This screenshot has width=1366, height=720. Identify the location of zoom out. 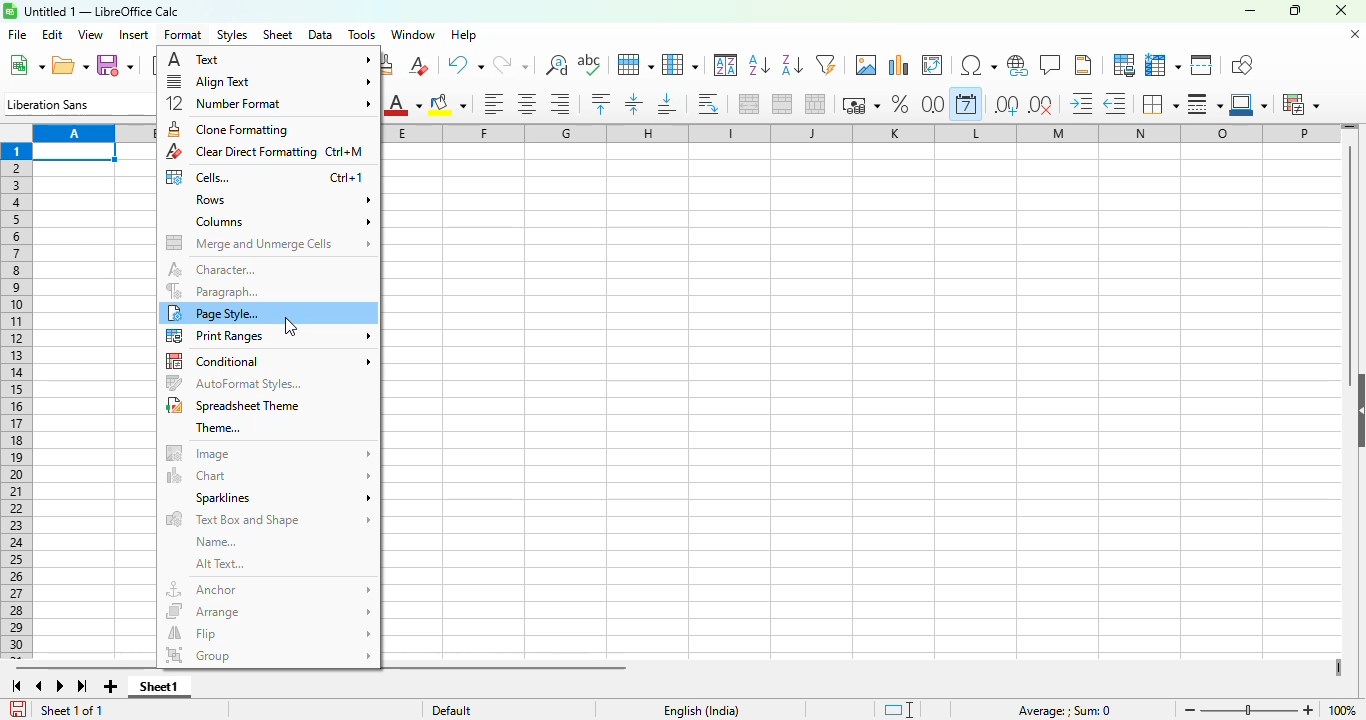
(1190, 710).